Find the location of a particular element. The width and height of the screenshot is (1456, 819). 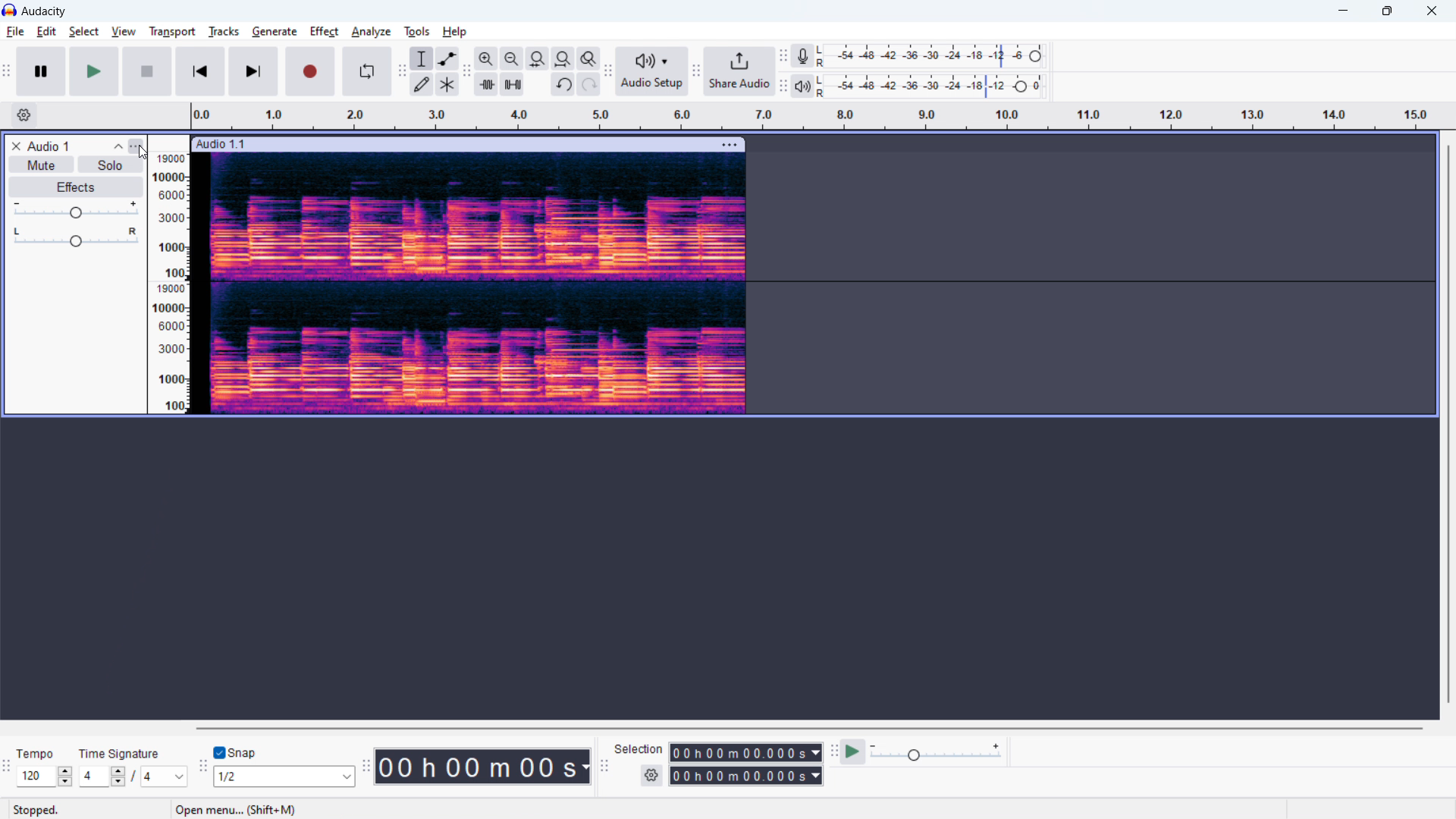

track options is located at coordinates (728, 144).